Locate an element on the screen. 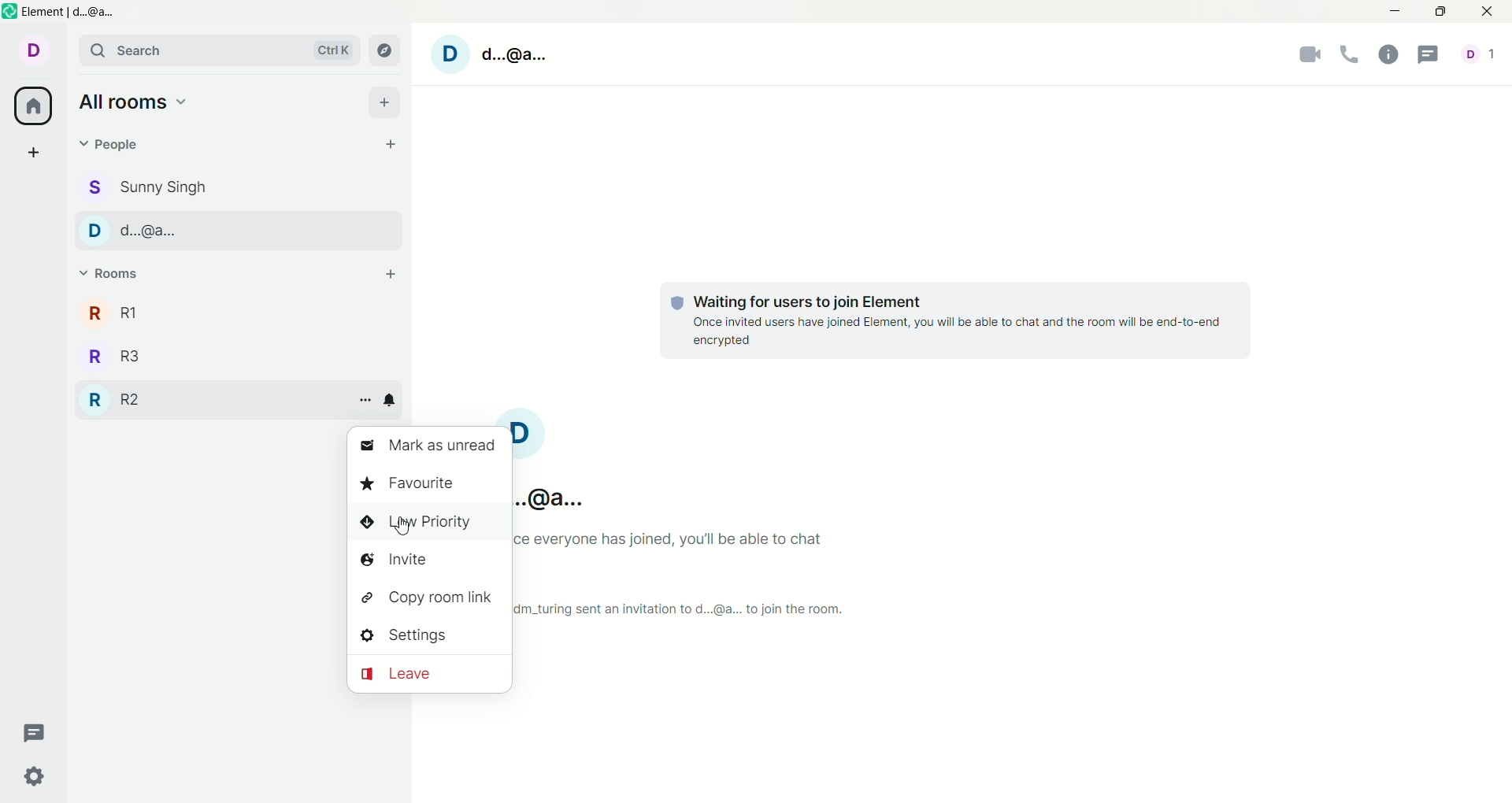  text is located at coordinates (956, 320).